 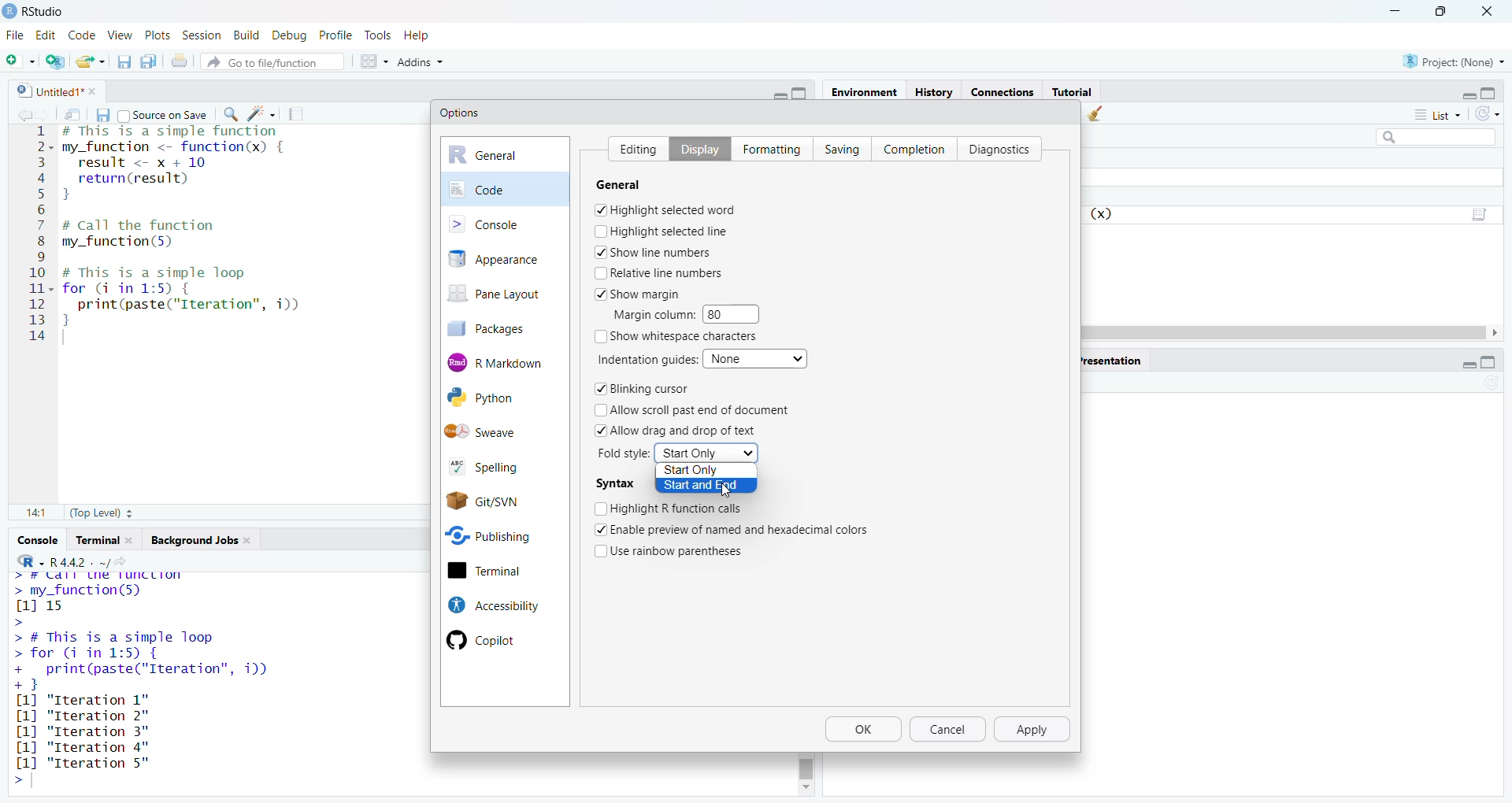 I want to click on R 4.4.2 . ~/, so click(x=80, y=561).